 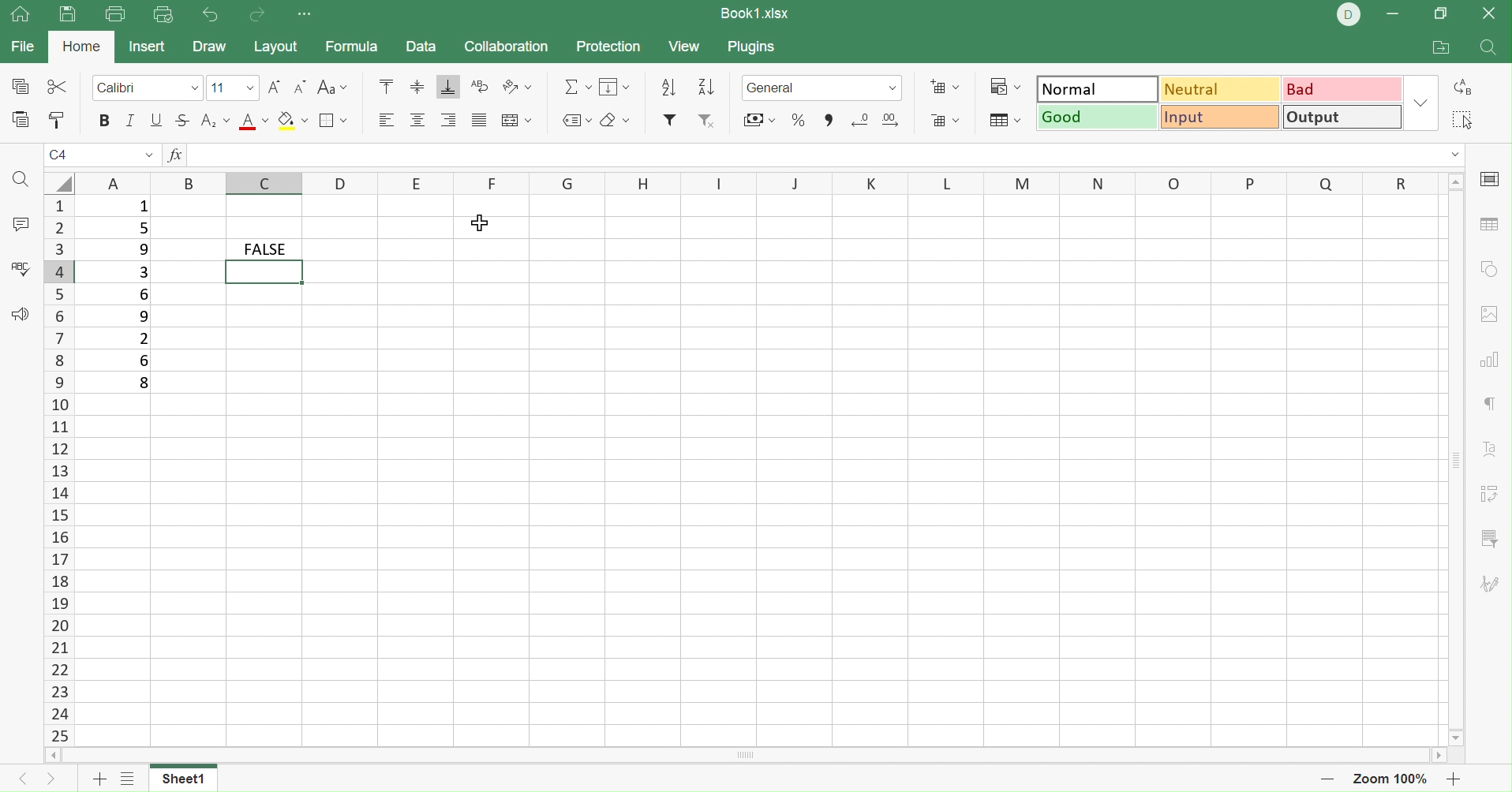 What do you see at coordinates (300, 87) in the screenshot?
I see `Decrement font size` at bounding box center [300, 87].